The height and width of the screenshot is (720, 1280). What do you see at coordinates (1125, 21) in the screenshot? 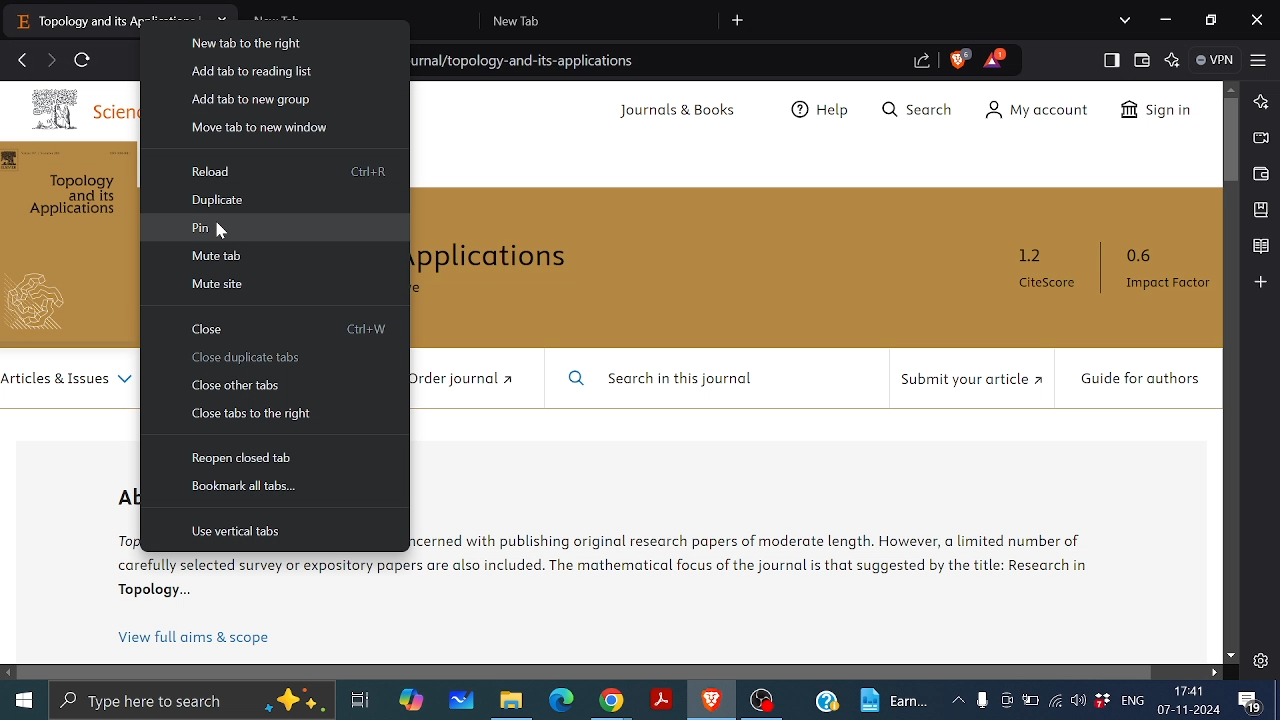
I see `Search tab` at bounding box center [1125, 21].